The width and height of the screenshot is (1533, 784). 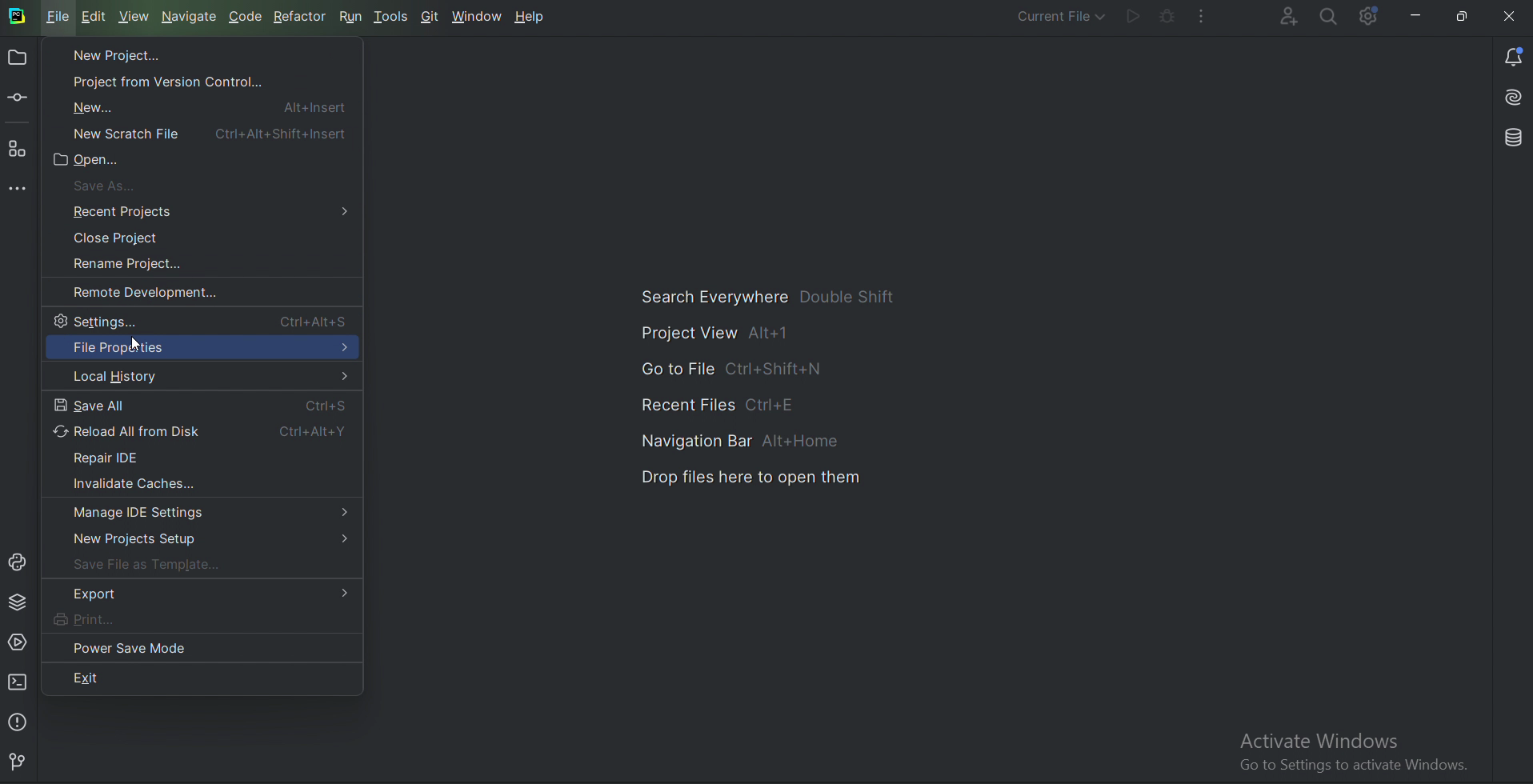 I want to click on More Actions, so click(x=1206, y=16).